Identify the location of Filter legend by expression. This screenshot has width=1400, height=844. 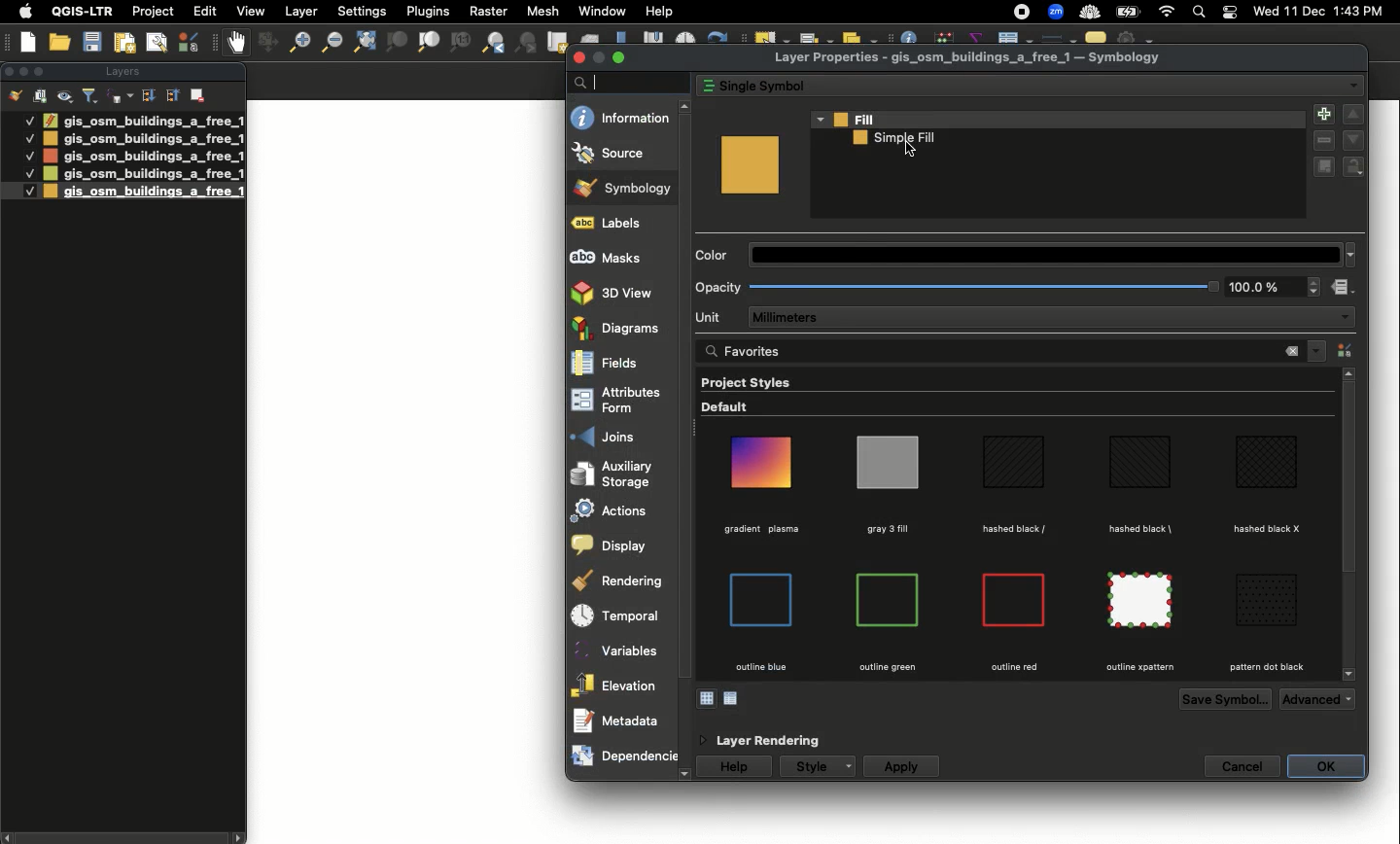
(121, 96).